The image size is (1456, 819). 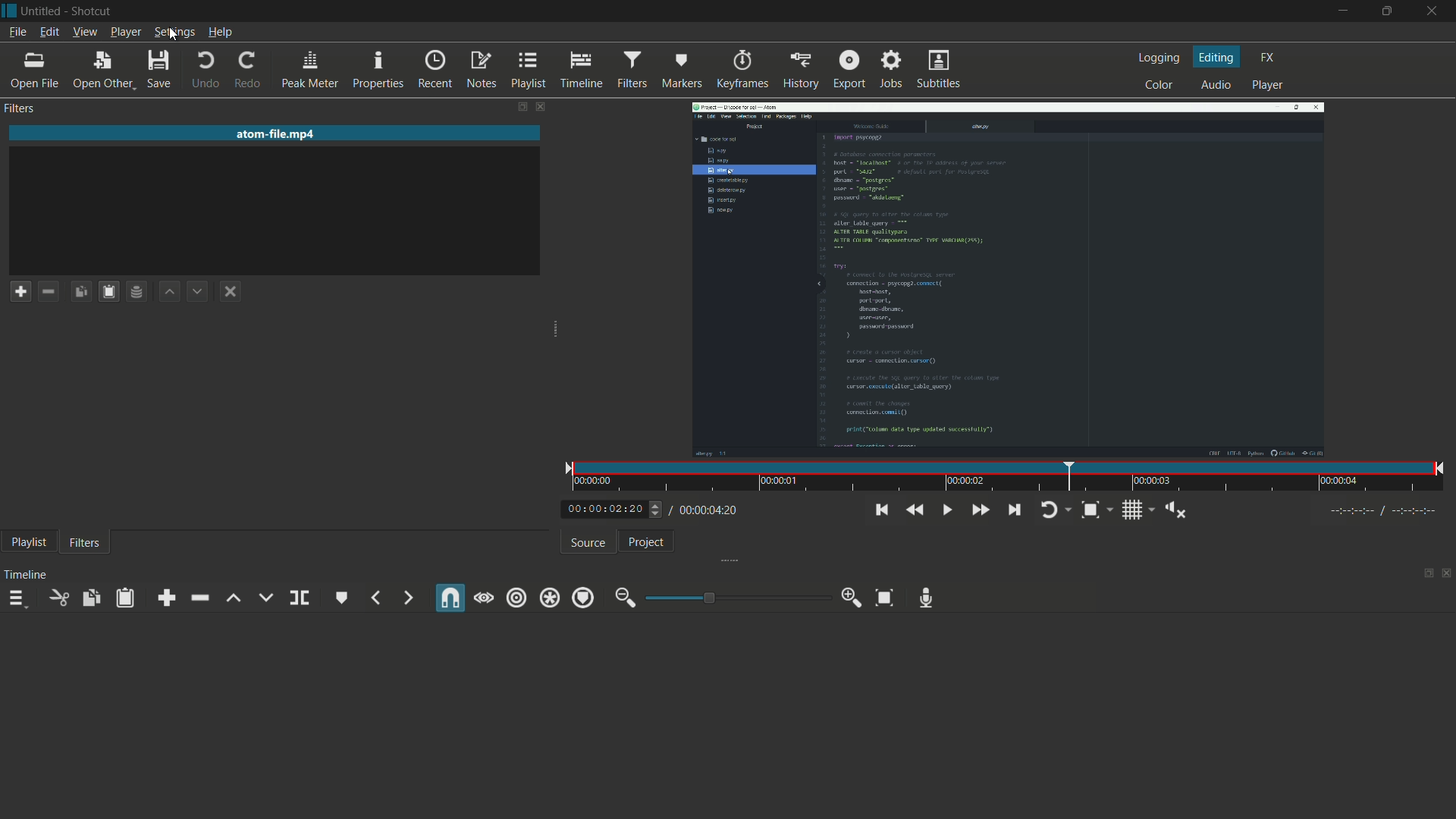 I want to click on filters, so click(x=83, y=544).